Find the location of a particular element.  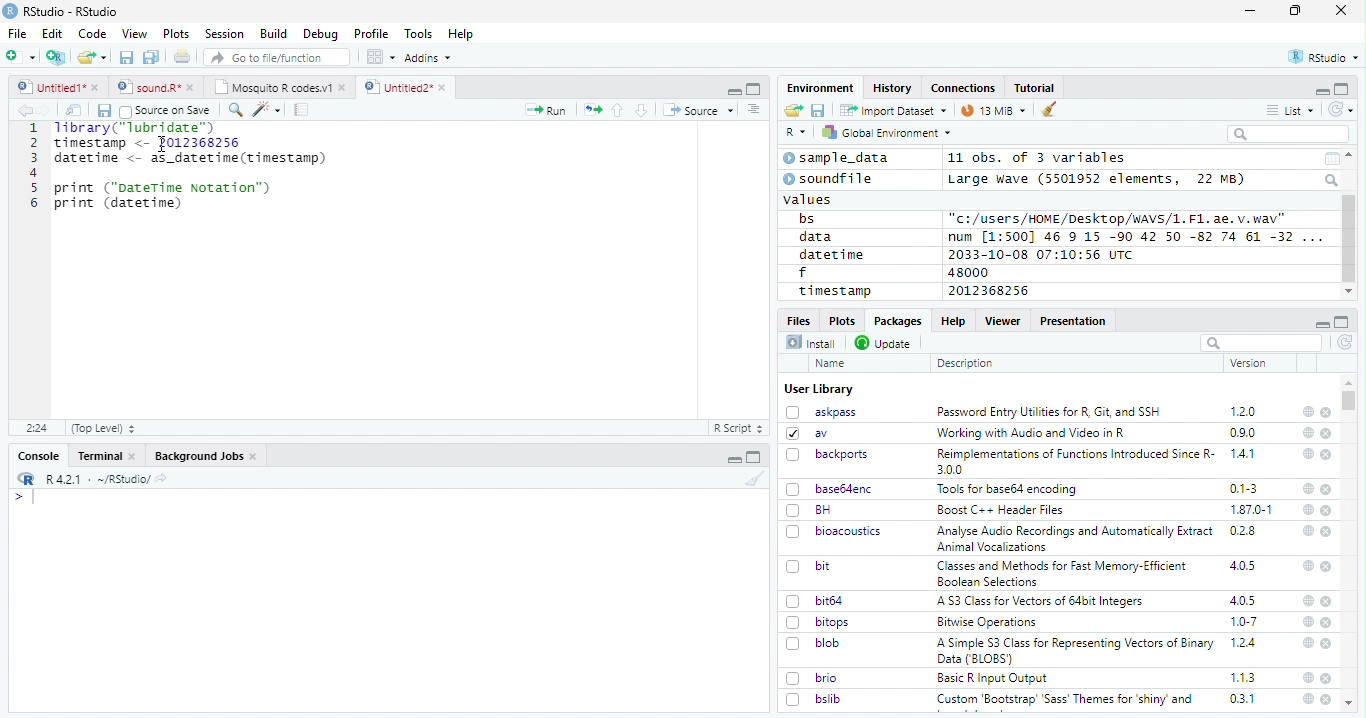

close is located at coordinates (1327, 566).